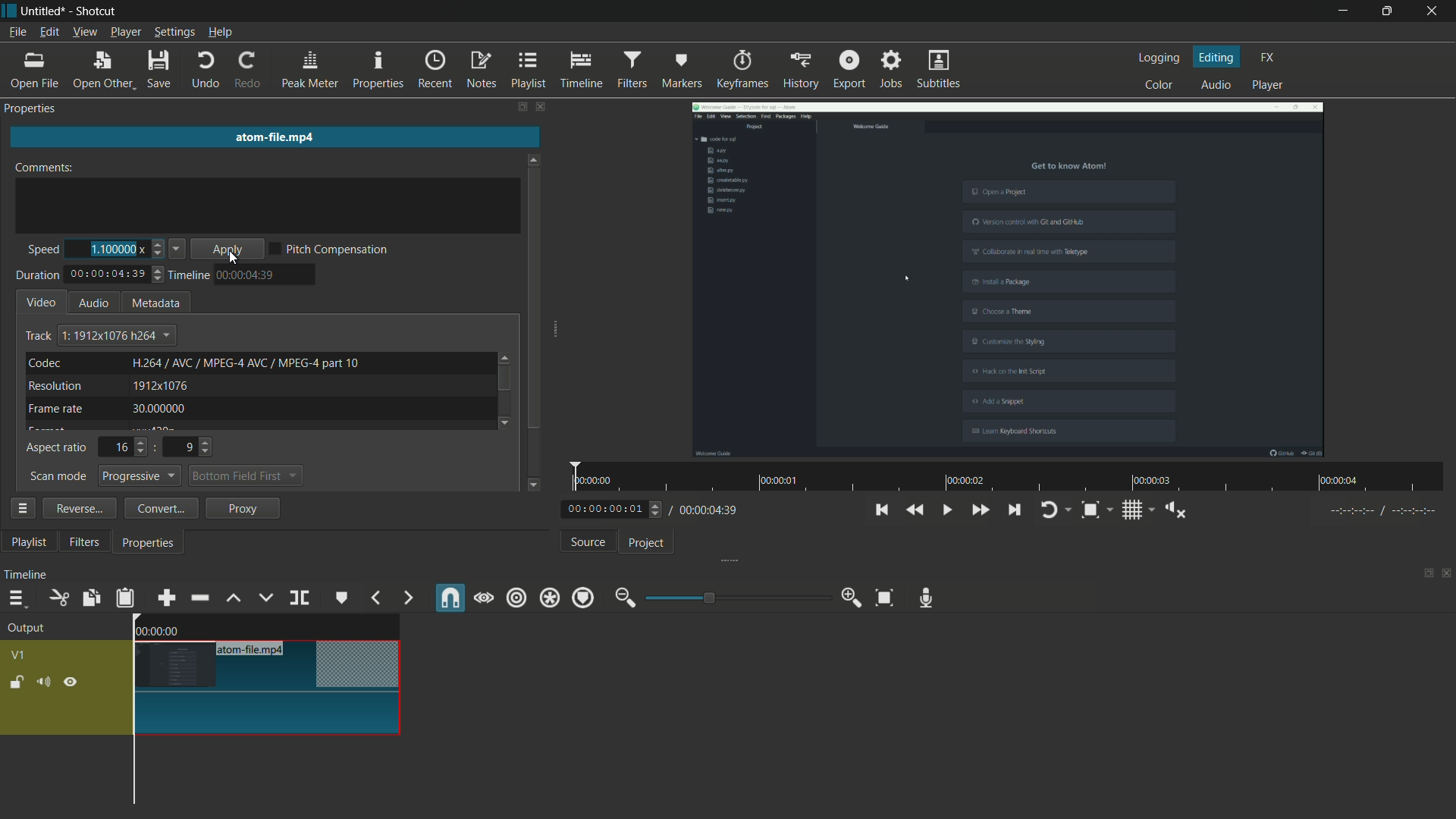  I want to click on metadata, so click(157, 304).